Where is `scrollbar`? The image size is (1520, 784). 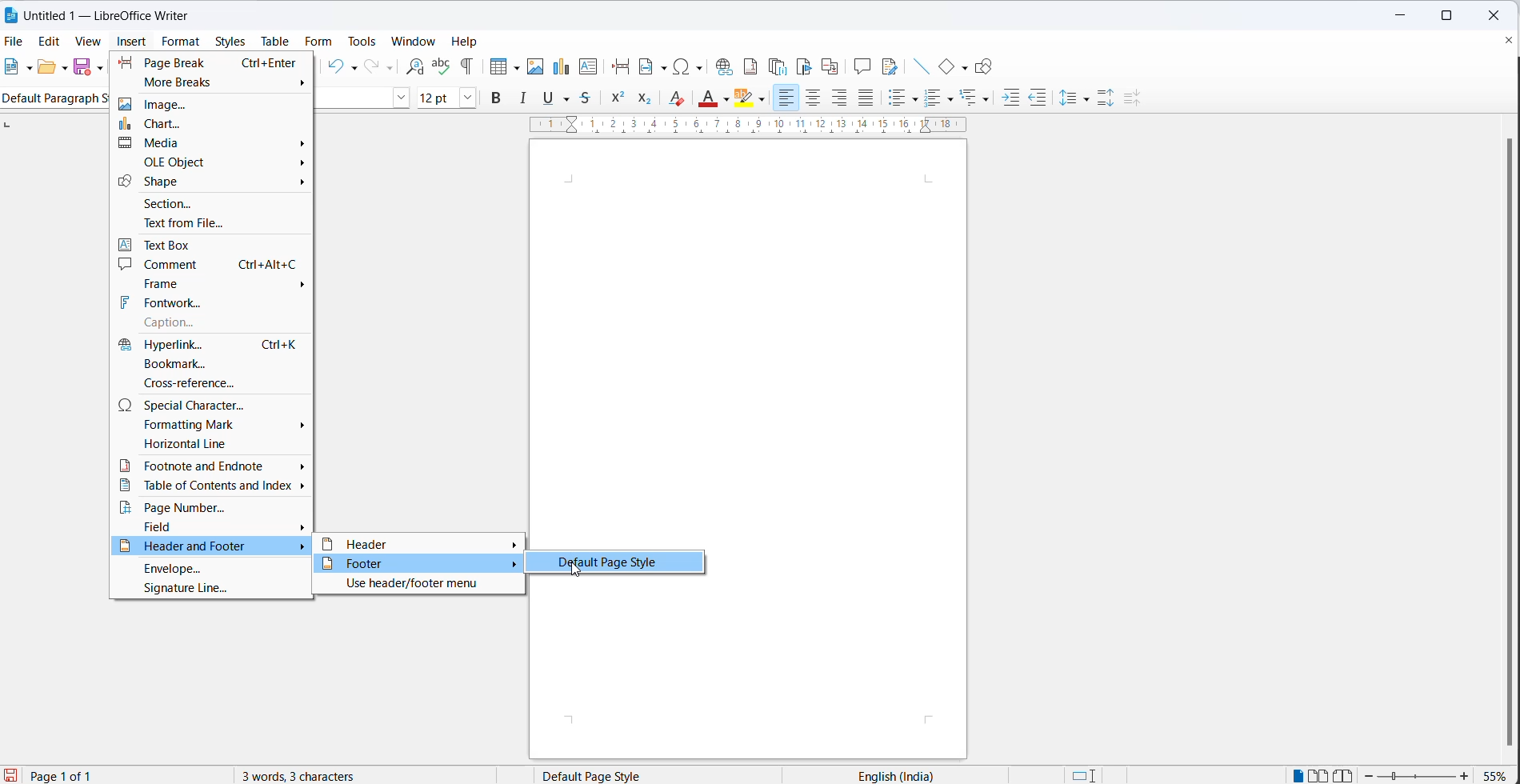
scrollbar is located at coordinates (1503, 437).